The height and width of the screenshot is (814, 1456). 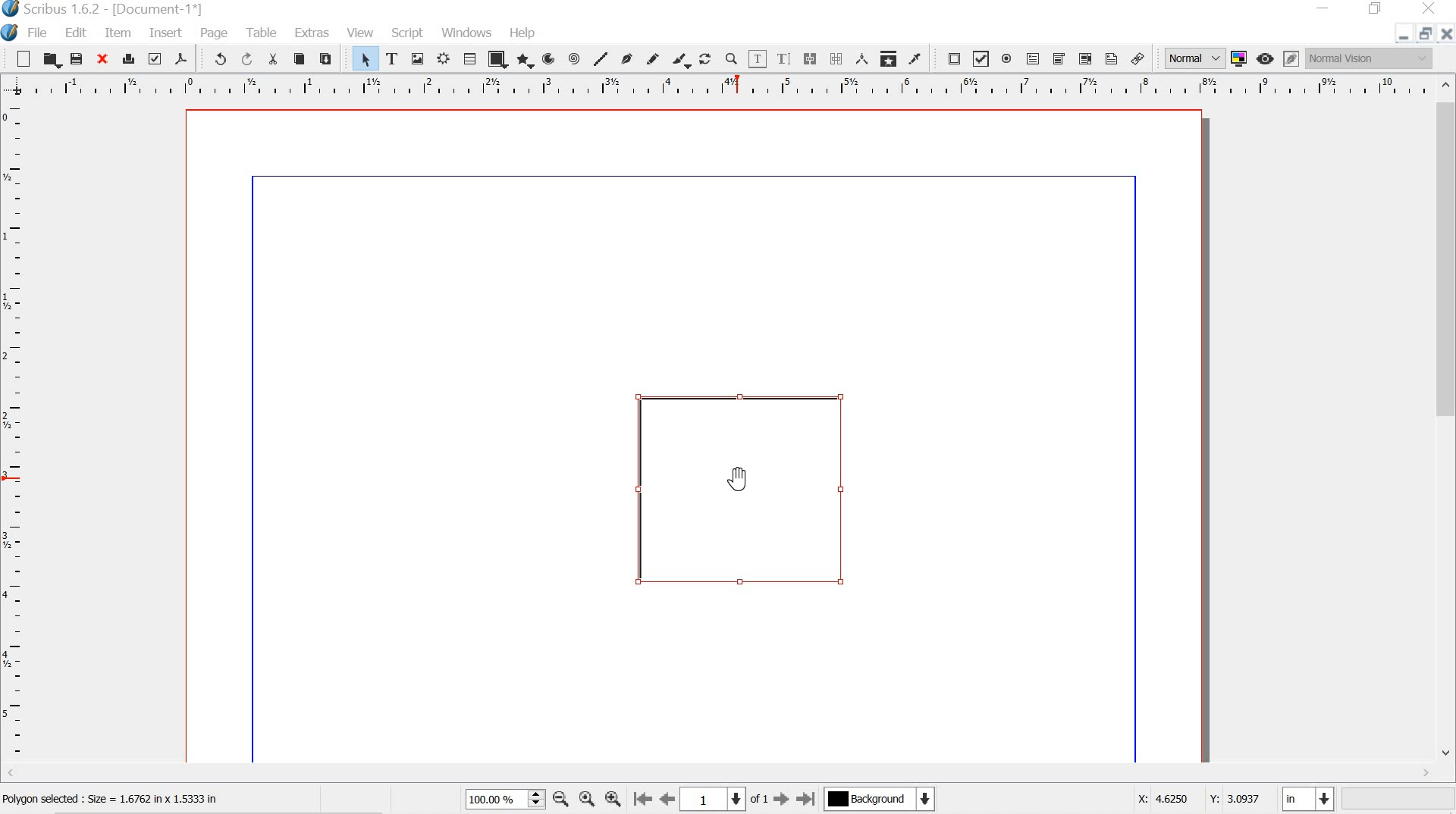 What do you see at coordinates (731, 58) in the screenshot?
I see `zoom in or out` at bounding box center [731, 58].